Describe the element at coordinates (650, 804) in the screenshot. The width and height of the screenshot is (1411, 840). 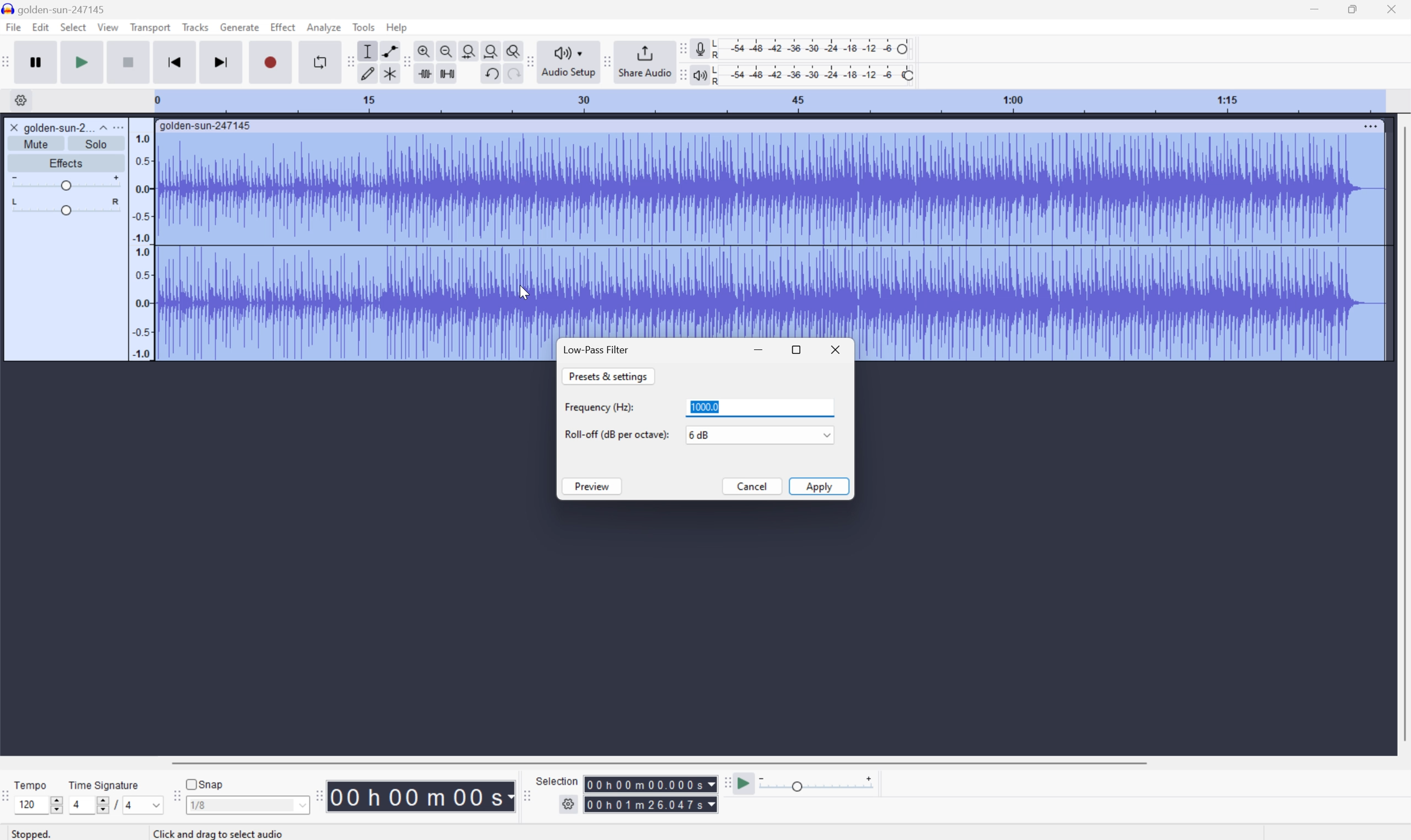
I see `Selection` at that location.